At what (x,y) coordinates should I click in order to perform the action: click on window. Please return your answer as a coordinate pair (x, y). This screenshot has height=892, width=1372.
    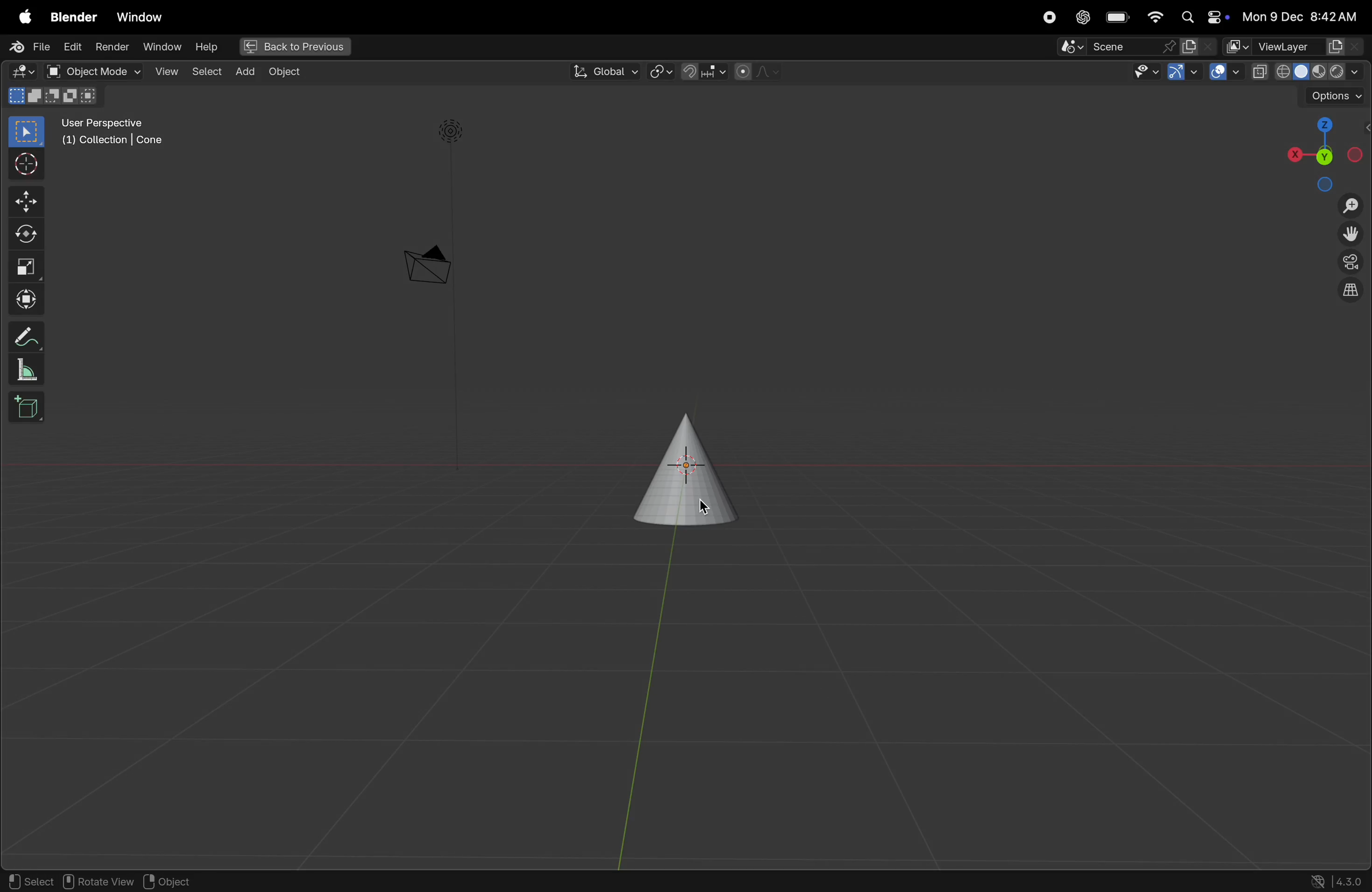
    Looking at the image, I should click on (163, 48).